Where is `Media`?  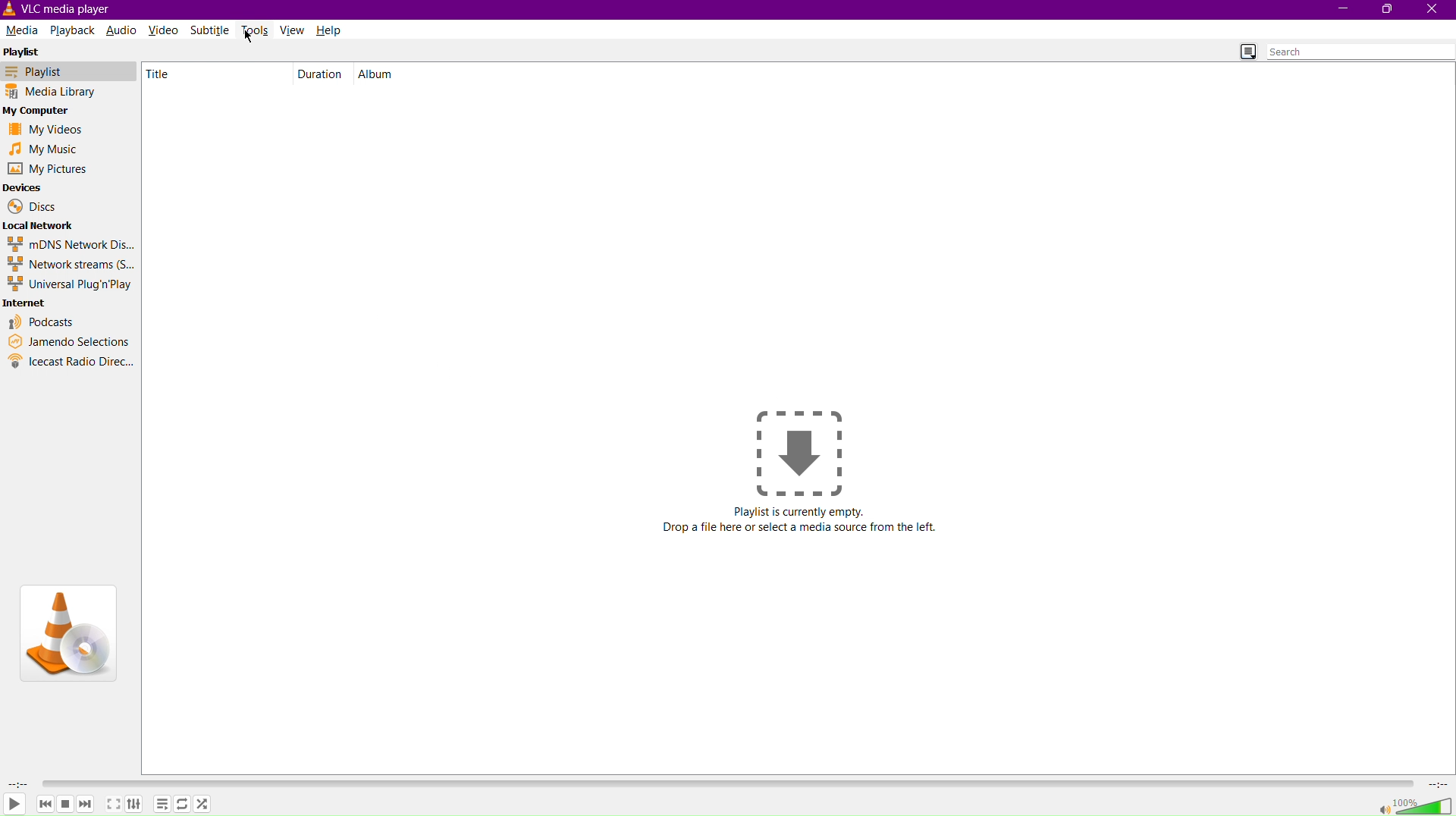 Media is located at coordinates (22, 31).